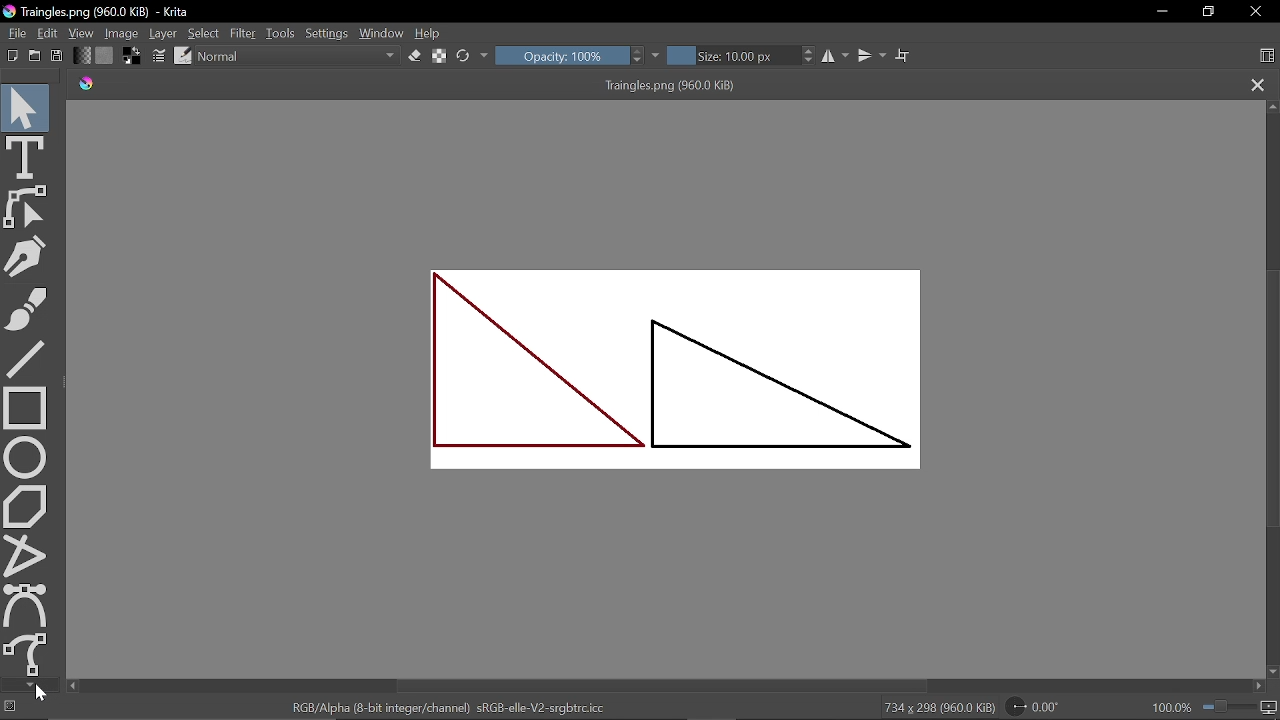 This screenshot has width=1280, height=720. What do you see at coordinates (1209, 12) in the screenshot?
I see `Restore down` at bounding box center [1209, 12].